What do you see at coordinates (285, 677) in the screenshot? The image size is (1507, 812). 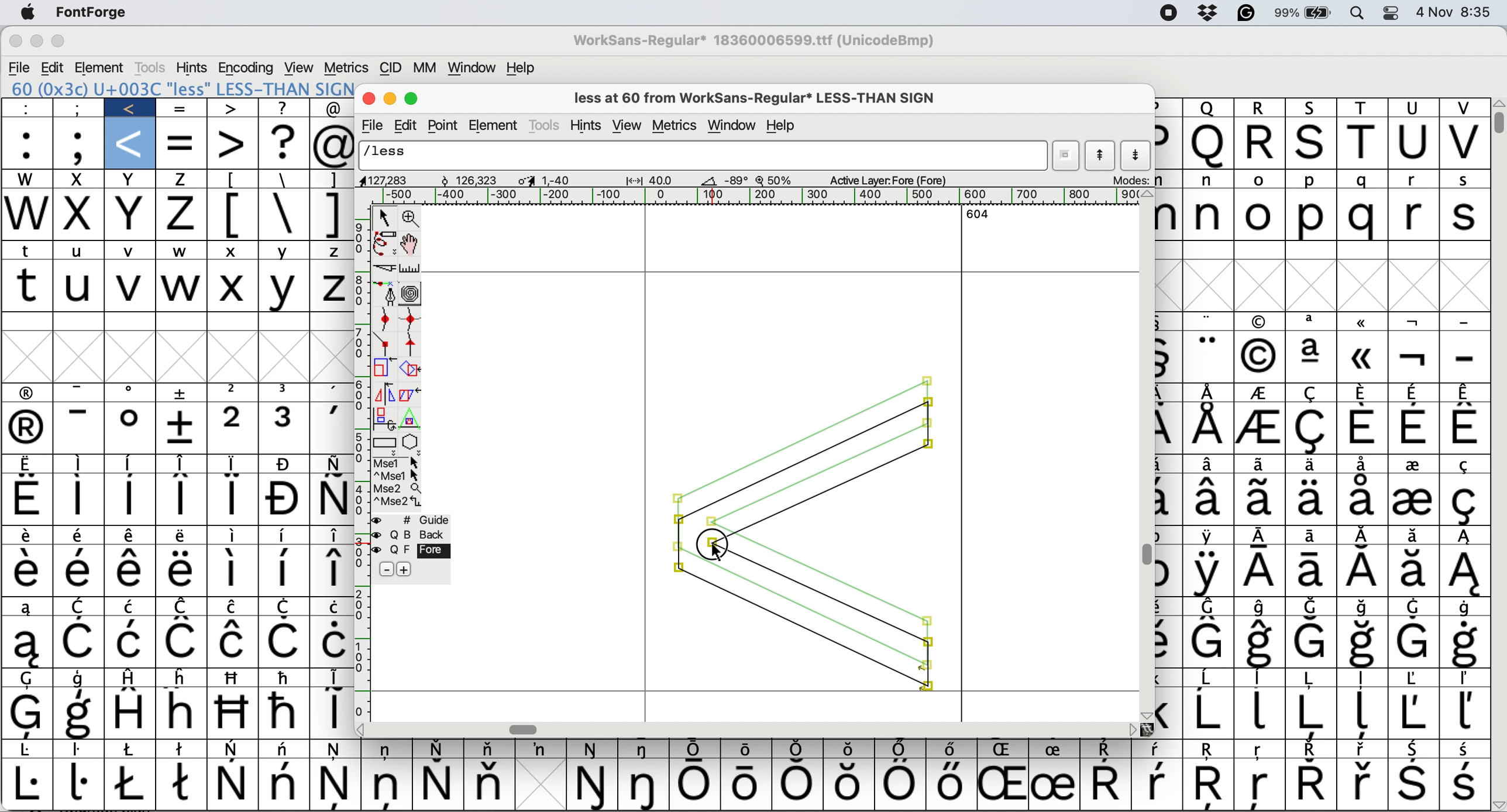 I see `Symbol` at bounding box center [285, 677].